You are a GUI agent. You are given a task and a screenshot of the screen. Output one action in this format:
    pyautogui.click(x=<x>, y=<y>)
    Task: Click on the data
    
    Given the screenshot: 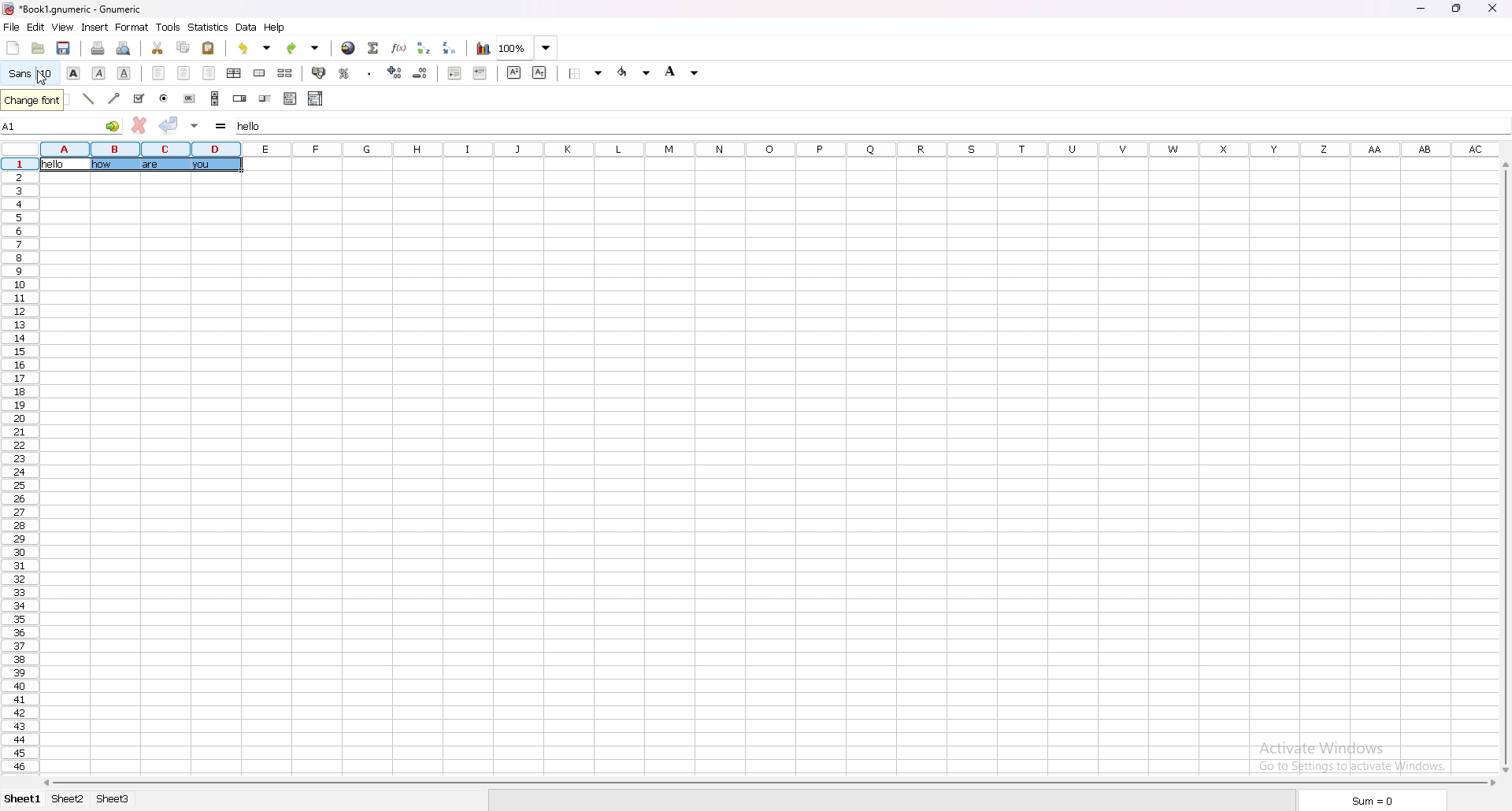 What is the action you would take?
    pyautogui.click(x=246, y=28)
    